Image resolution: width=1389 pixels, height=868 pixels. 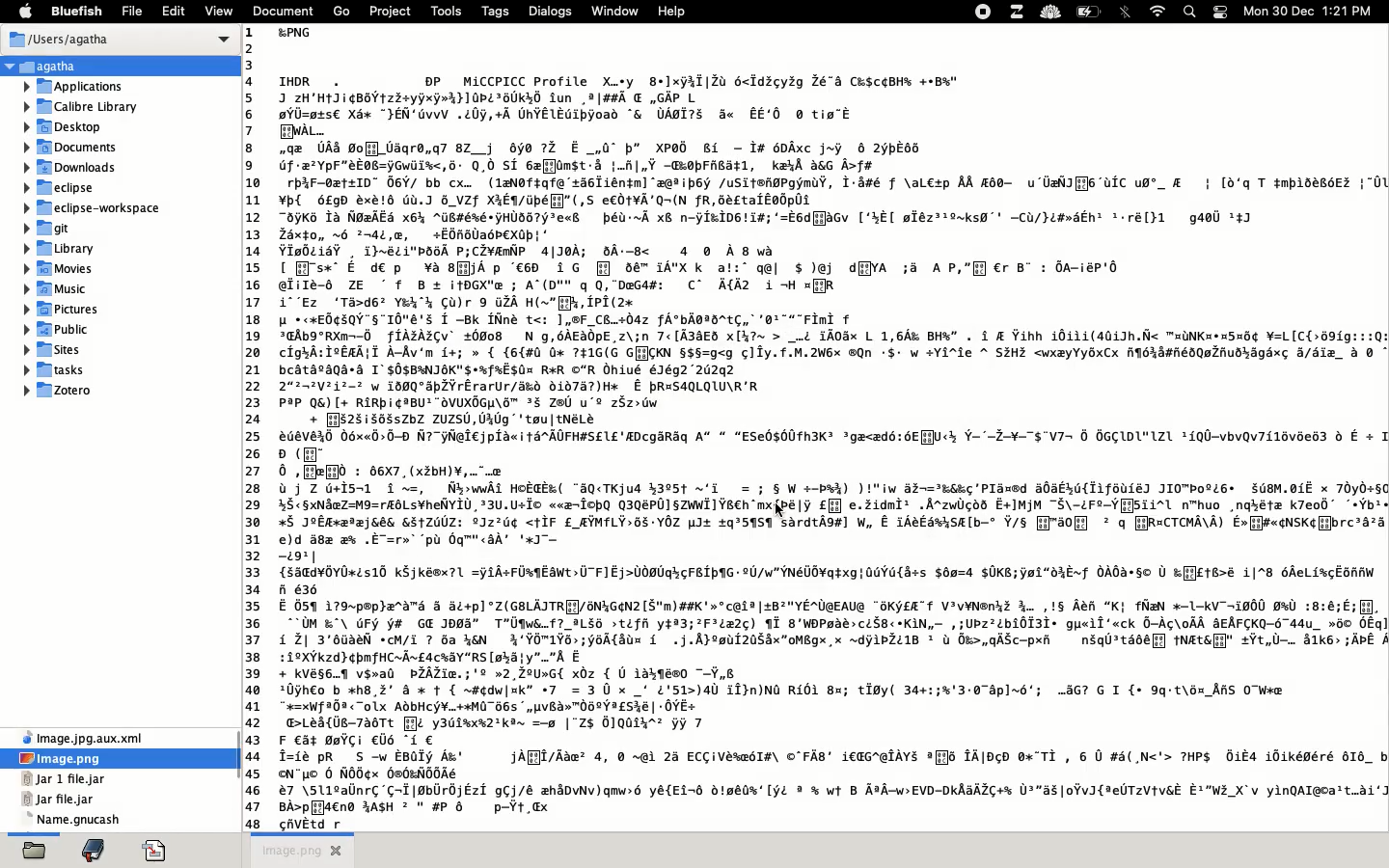 I want to click on internet, so click(x=1158, y=12).